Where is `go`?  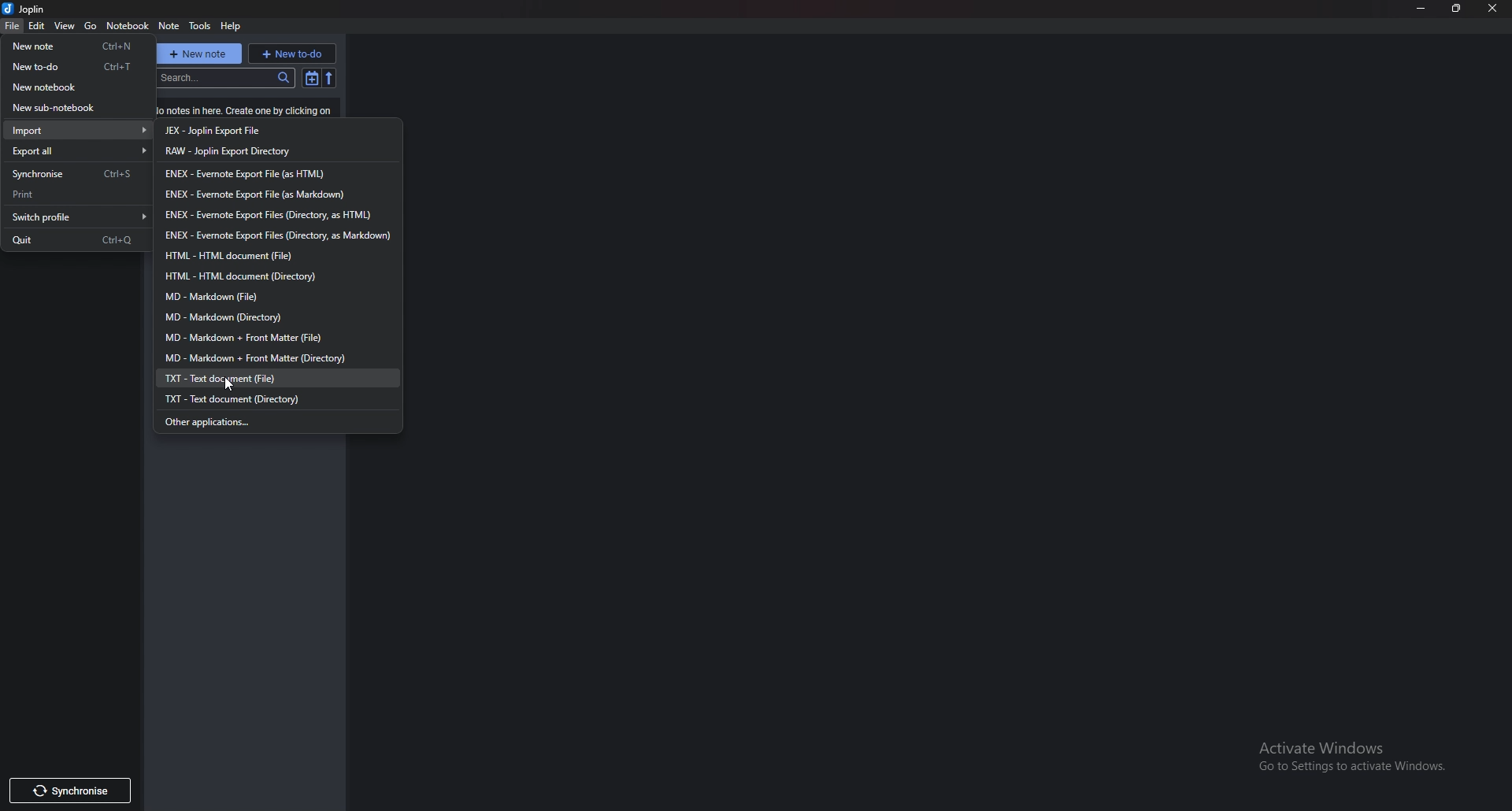
go is located at coordinates (91, 24).